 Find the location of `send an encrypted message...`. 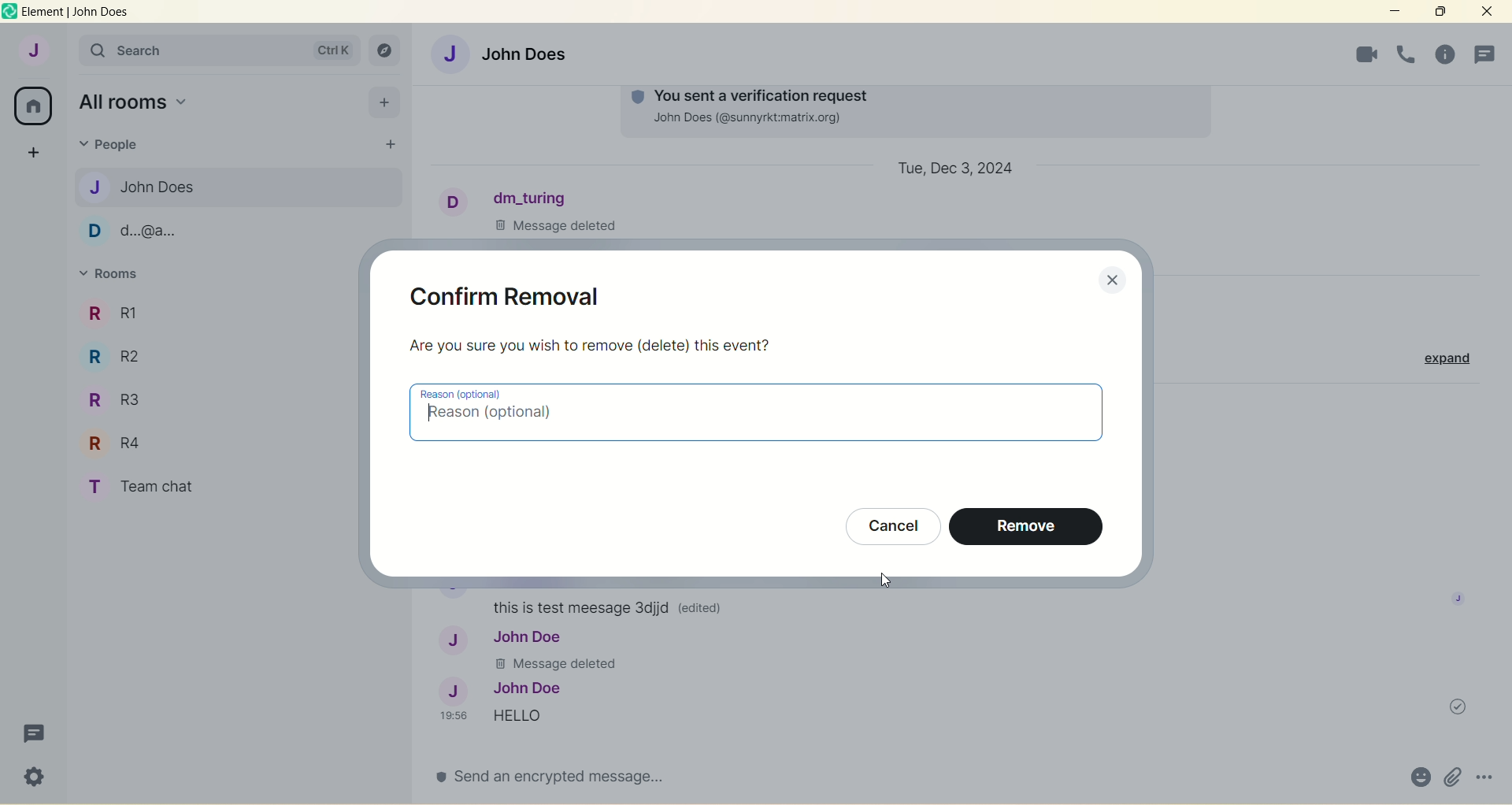

send an encrypted message... is located at coordinates (559, 783).